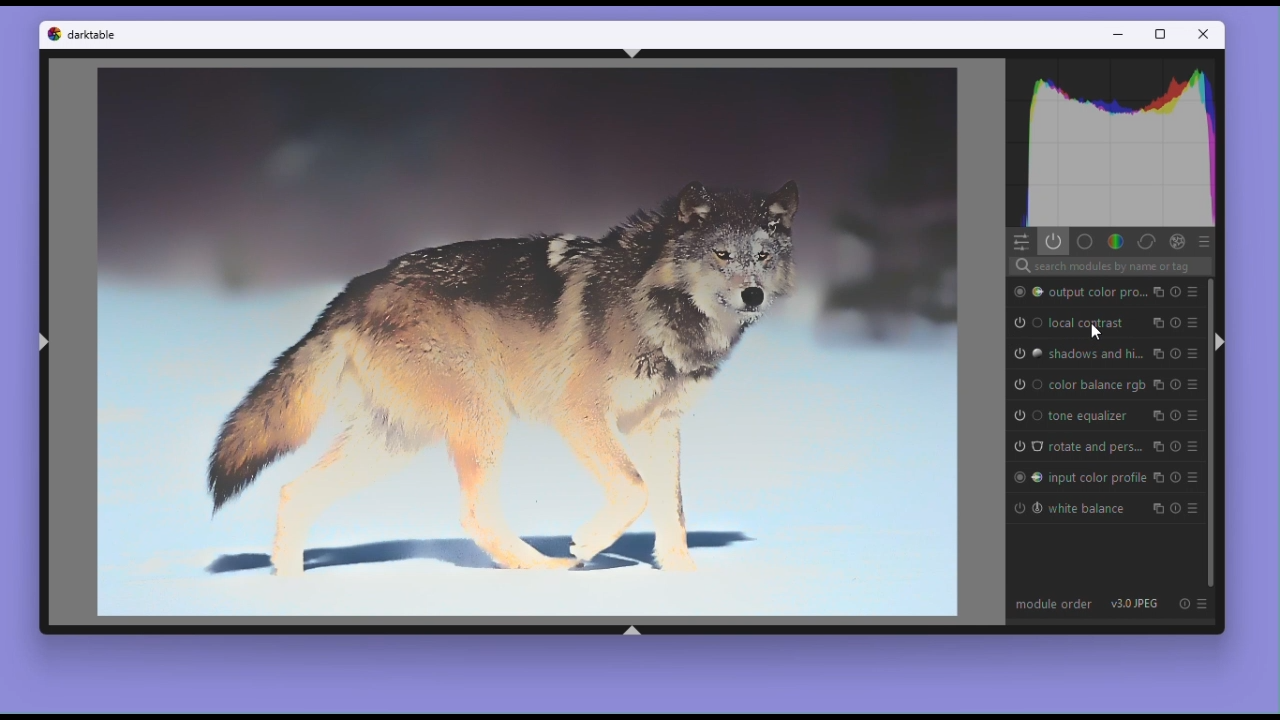 Image resolution: width=1280 pixels, height=720 pixels. I want to click on 'Local contrast' is switched on, so click(1025, 320).